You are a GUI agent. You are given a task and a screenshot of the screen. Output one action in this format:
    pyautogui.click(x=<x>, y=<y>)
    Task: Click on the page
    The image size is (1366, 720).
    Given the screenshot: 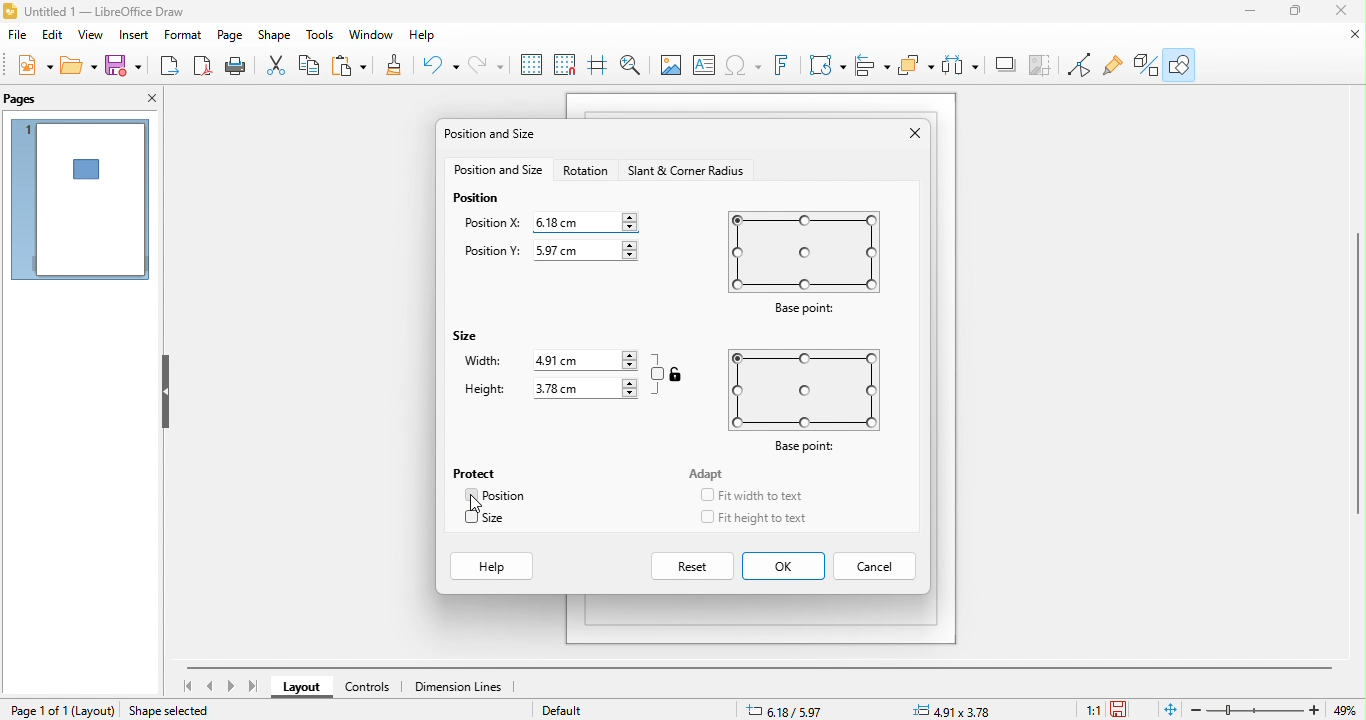 What is the action you would take?
    pyautogui.click(x=231, y=38)
    